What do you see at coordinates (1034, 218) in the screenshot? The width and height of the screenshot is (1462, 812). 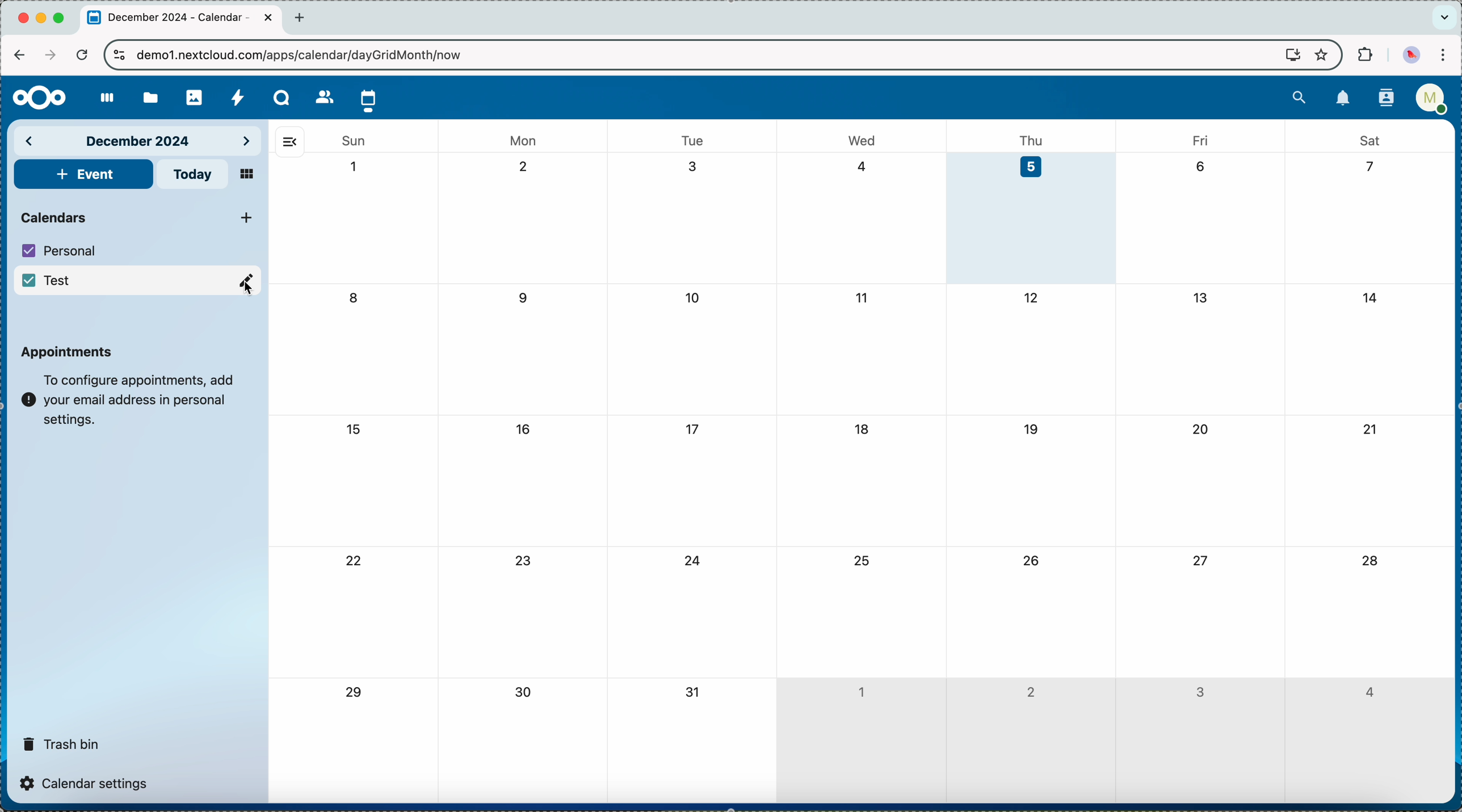 I see `day 5 selected` at bounding box center [1034, 218].